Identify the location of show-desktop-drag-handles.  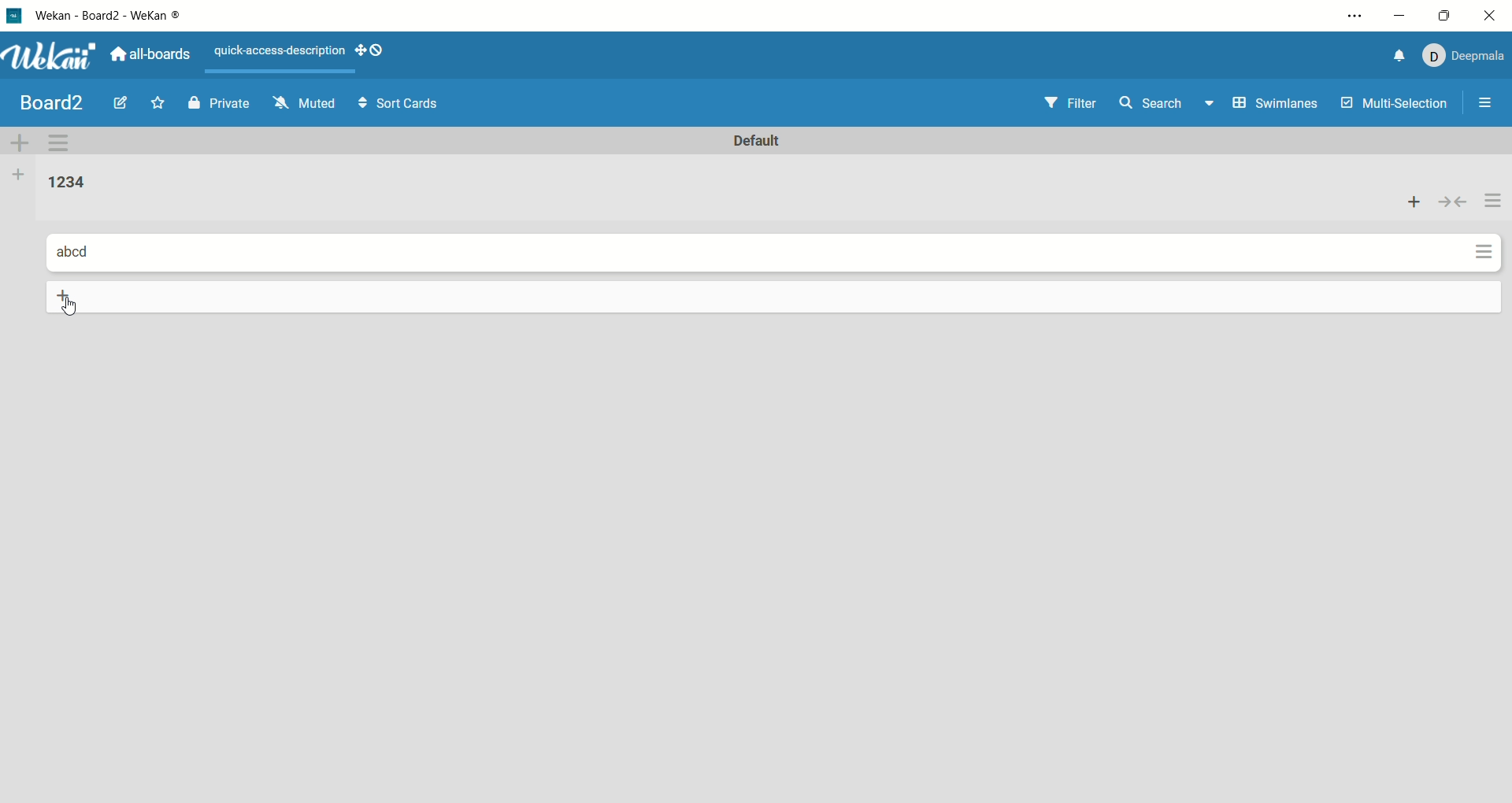
(361, 48).